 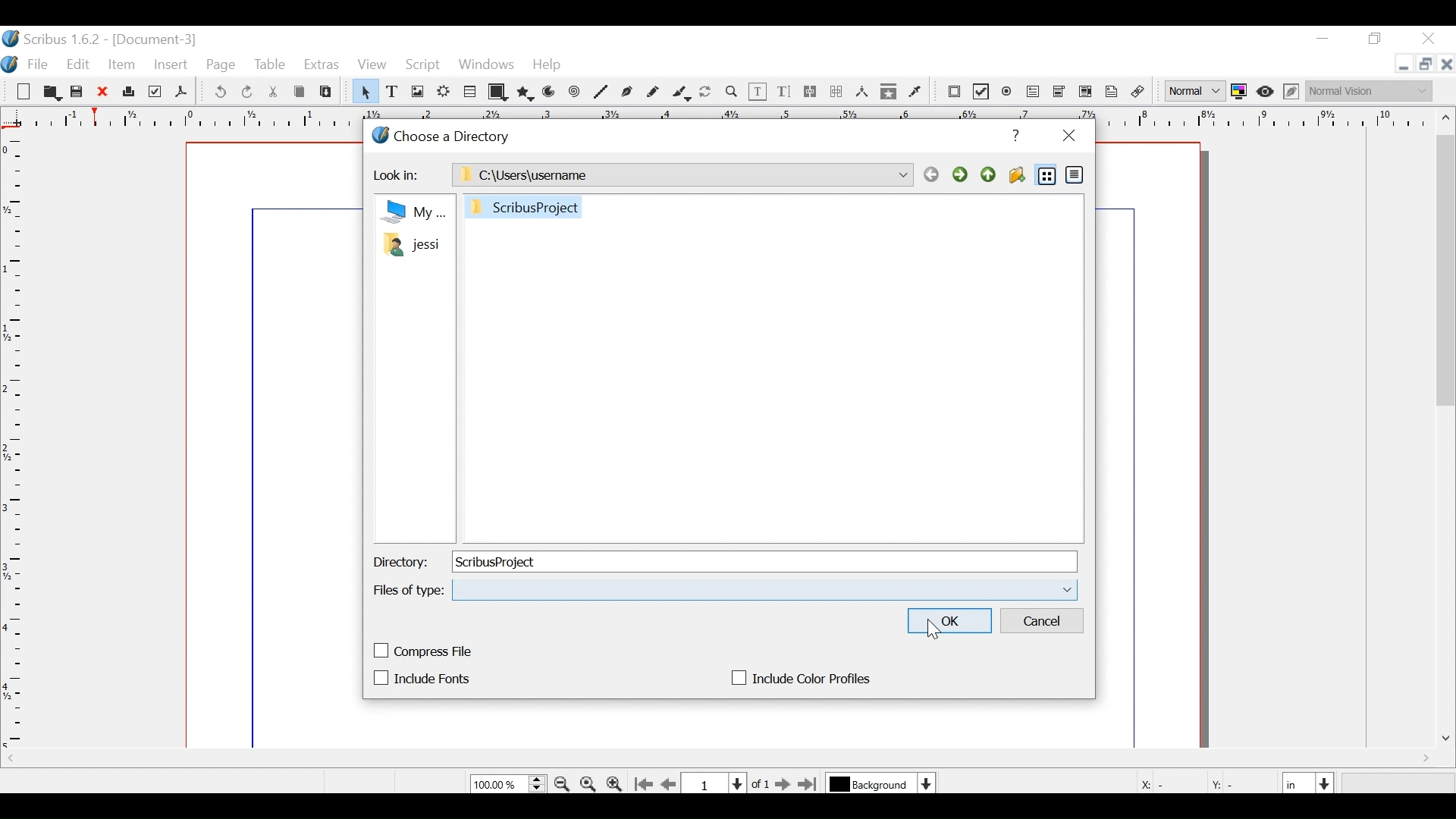 I want to click on Zoom out, so click(x=563, y=783).